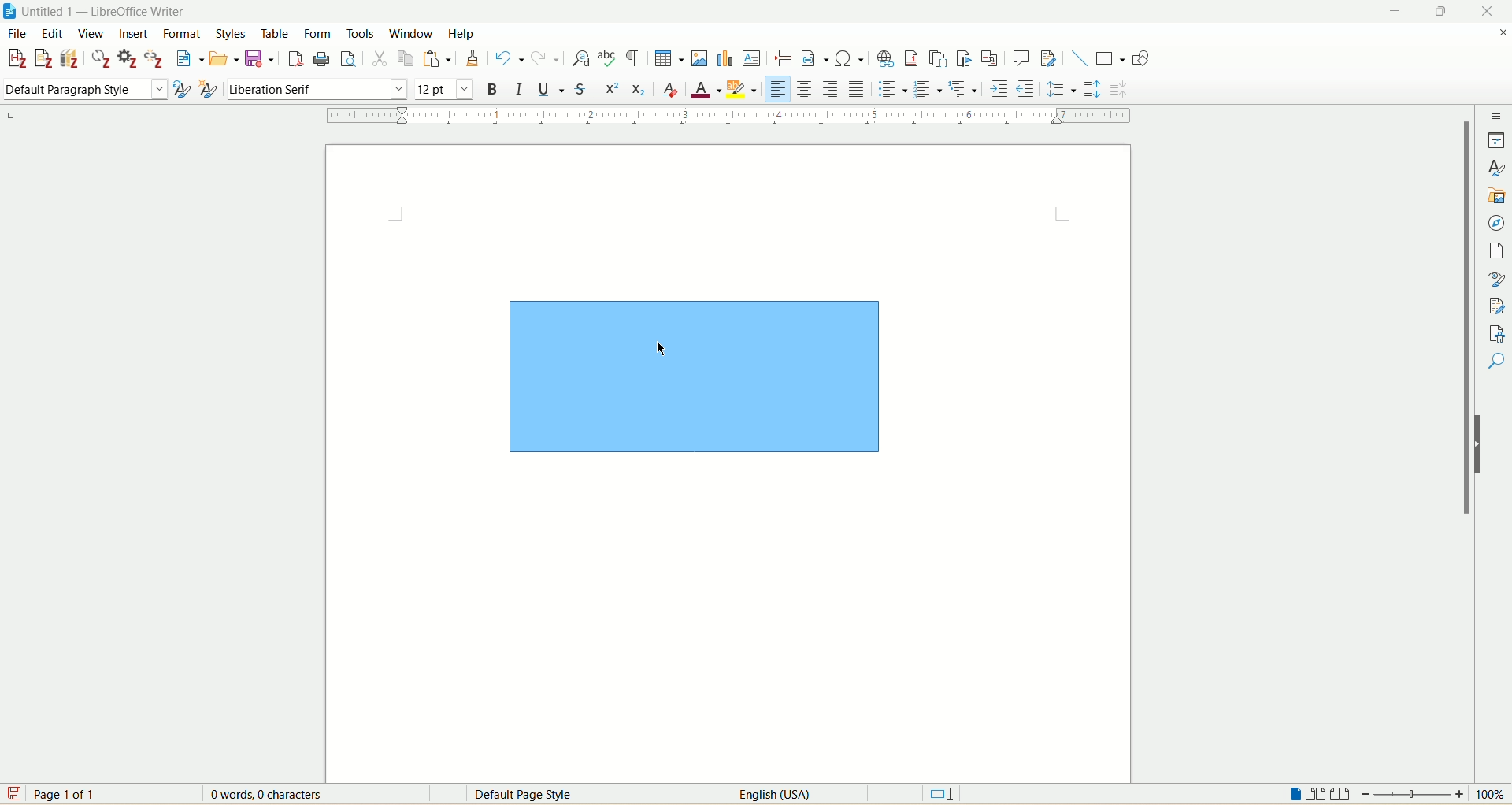  I want to click on ordered list, so click(930, 90).